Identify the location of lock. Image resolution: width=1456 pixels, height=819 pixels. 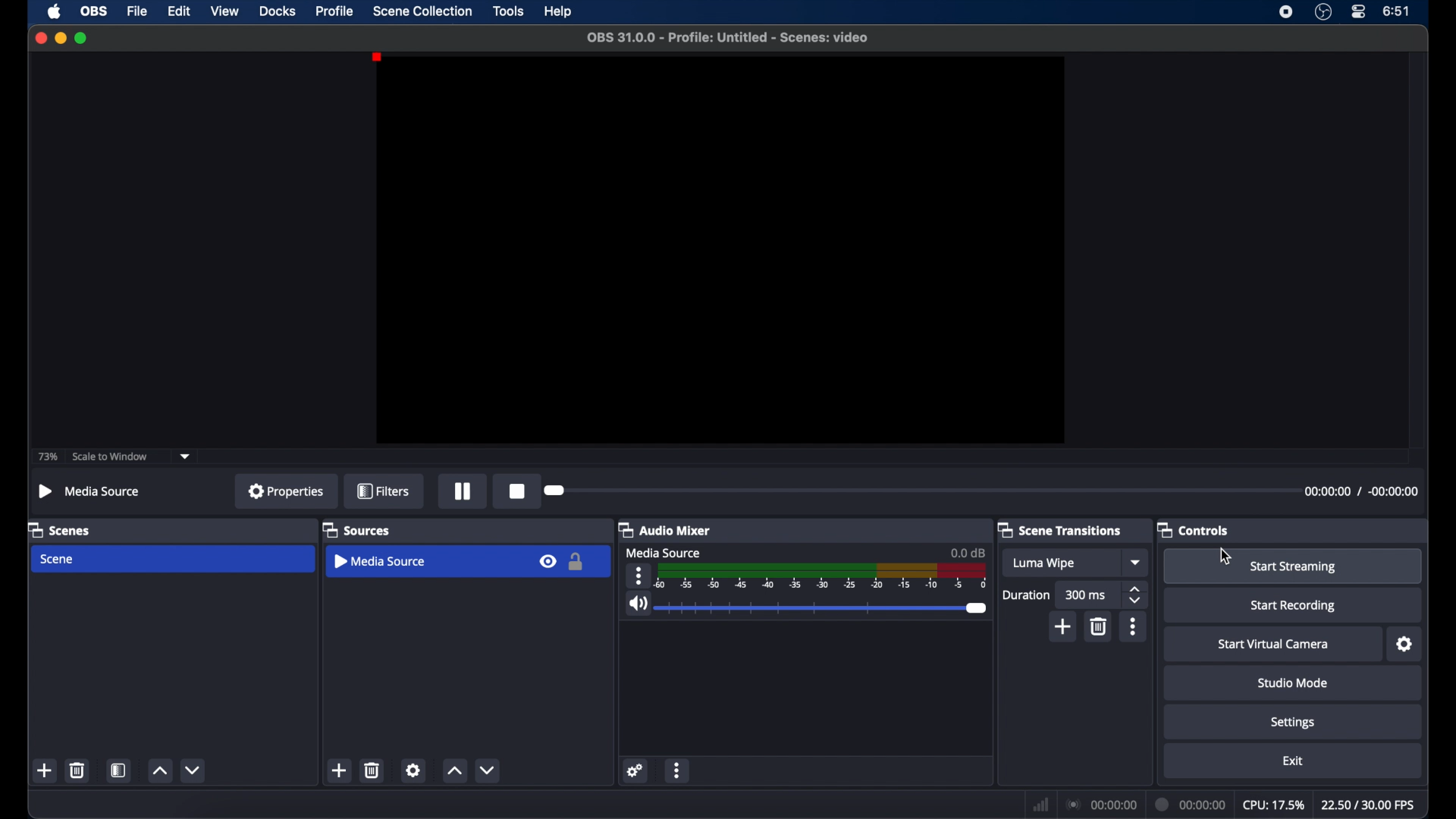
(577, 562).